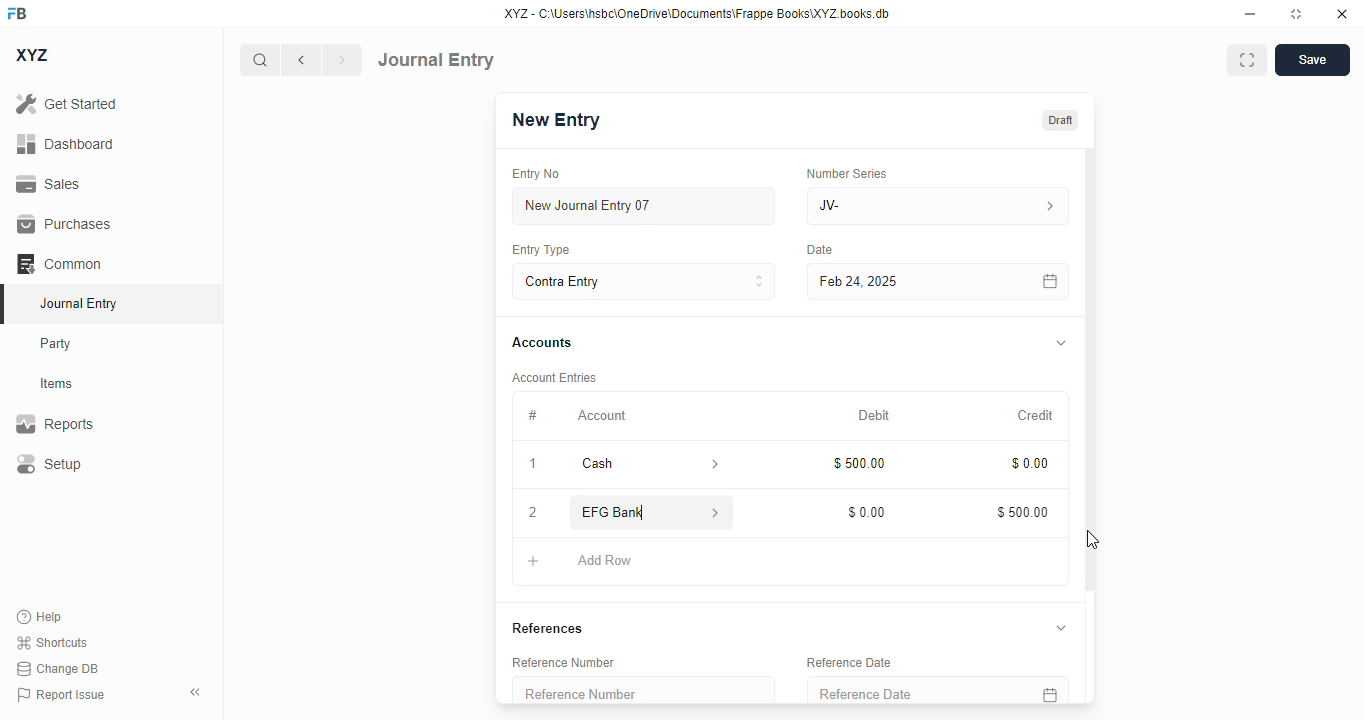 This screenshot has height=720, width=1364. Describe the element at coordinates (57, 668) in the screenshot. I see `change DB` at that location.